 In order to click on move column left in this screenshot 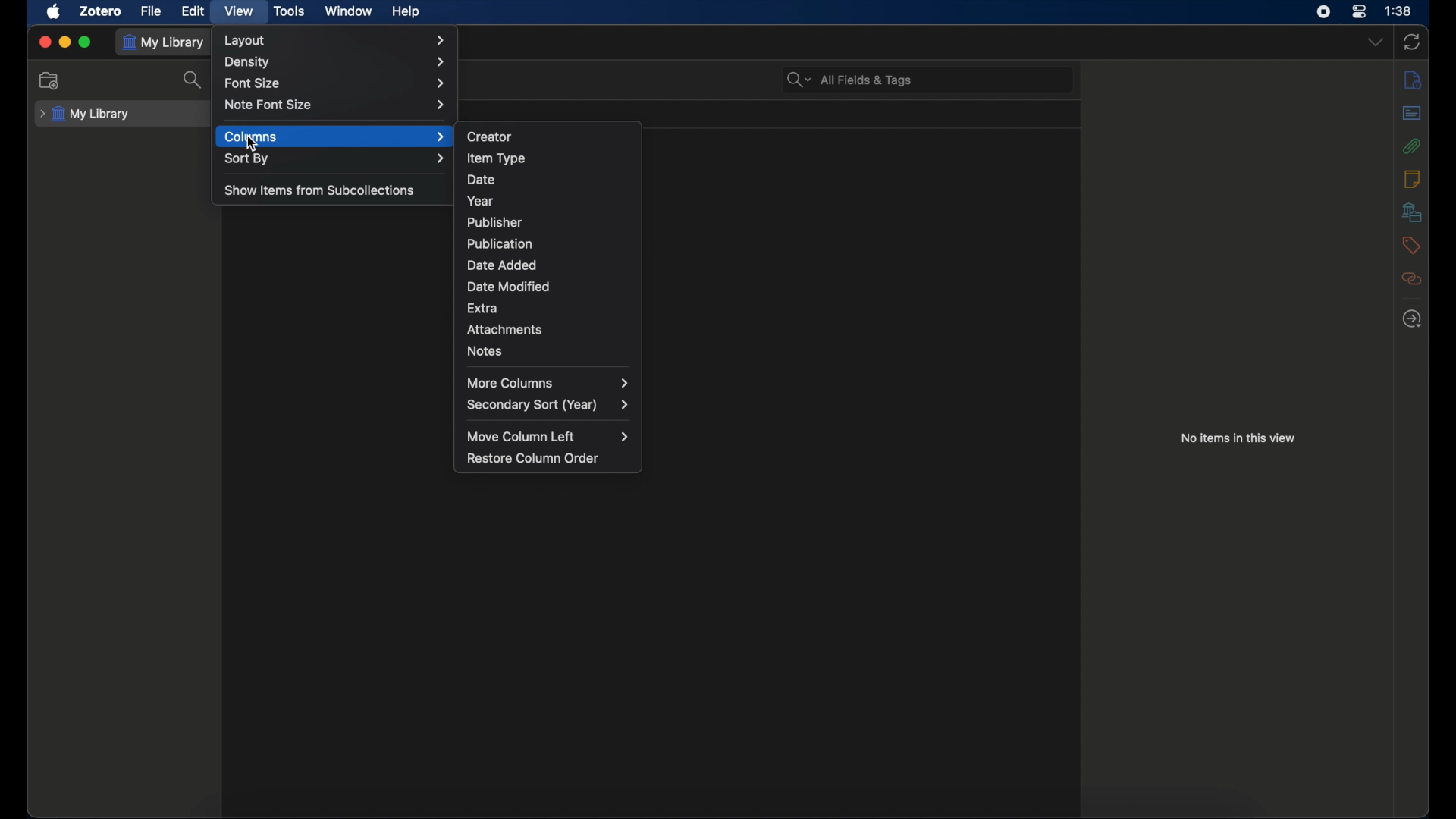, I will do `click(549, 436)`.